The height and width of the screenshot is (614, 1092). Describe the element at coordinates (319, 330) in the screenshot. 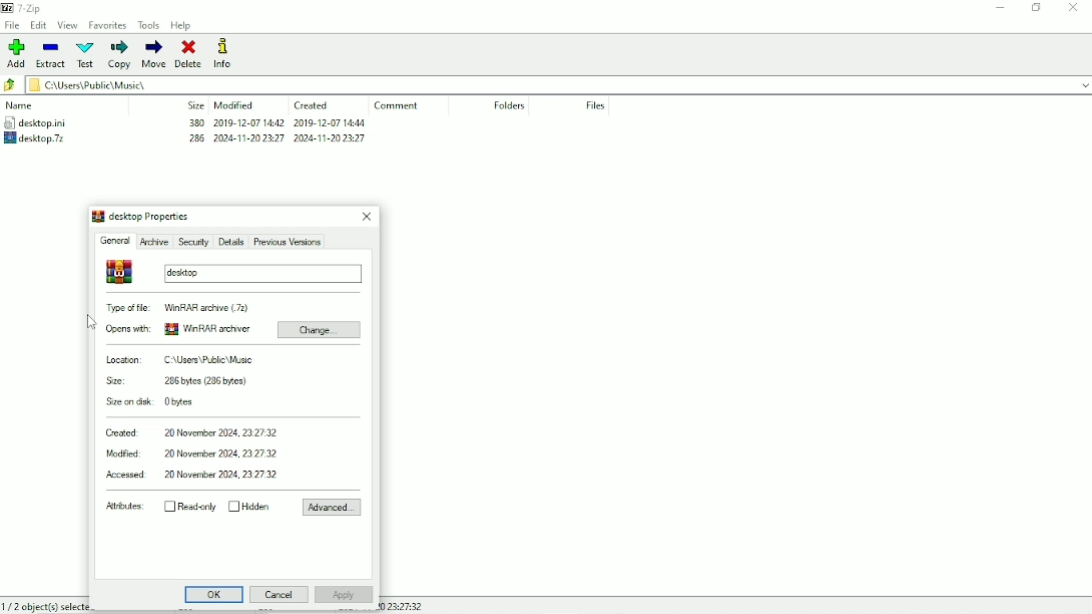

I see `Change` at that location.